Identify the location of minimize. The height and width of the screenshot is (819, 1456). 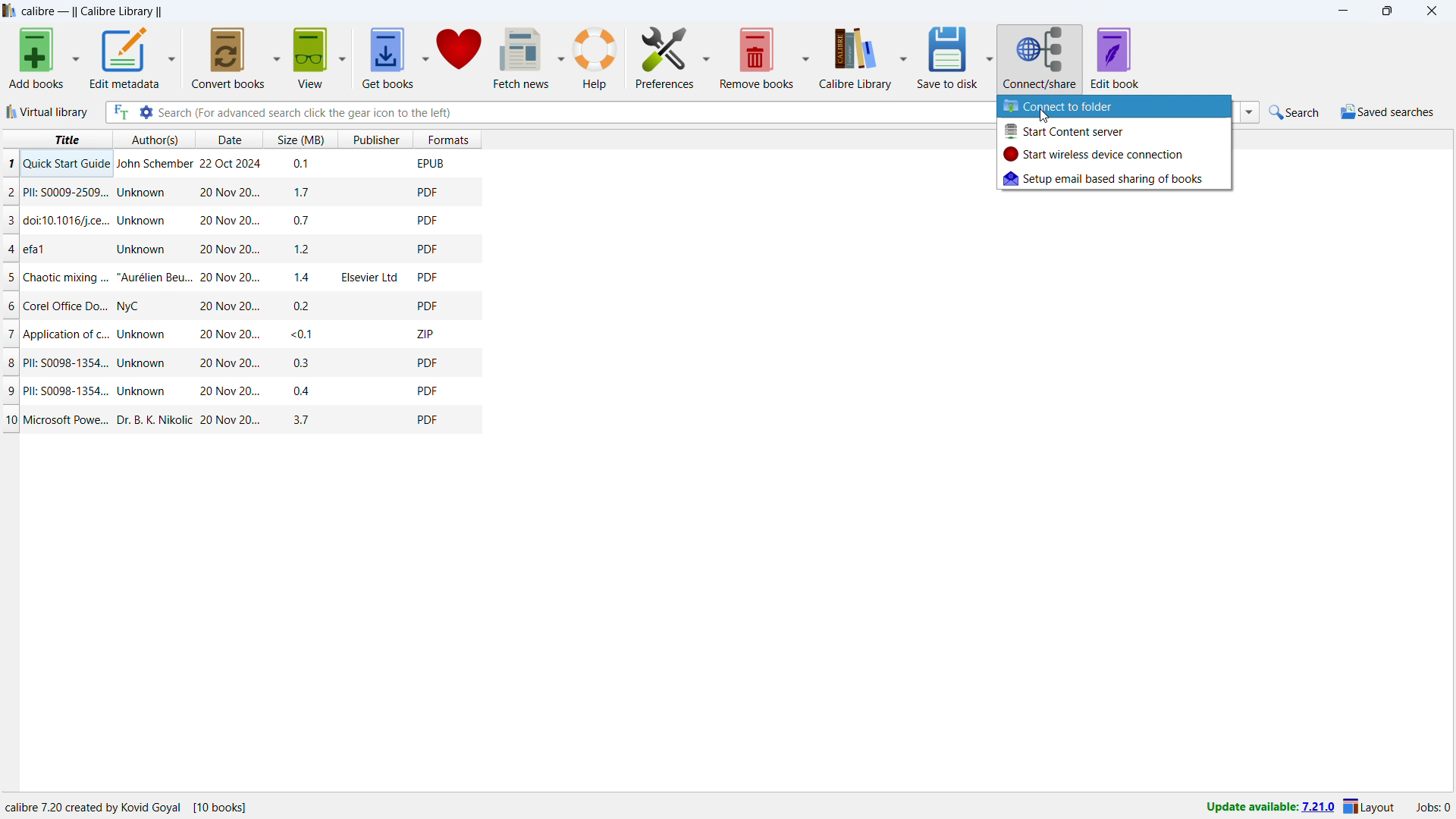
(1342, 11).